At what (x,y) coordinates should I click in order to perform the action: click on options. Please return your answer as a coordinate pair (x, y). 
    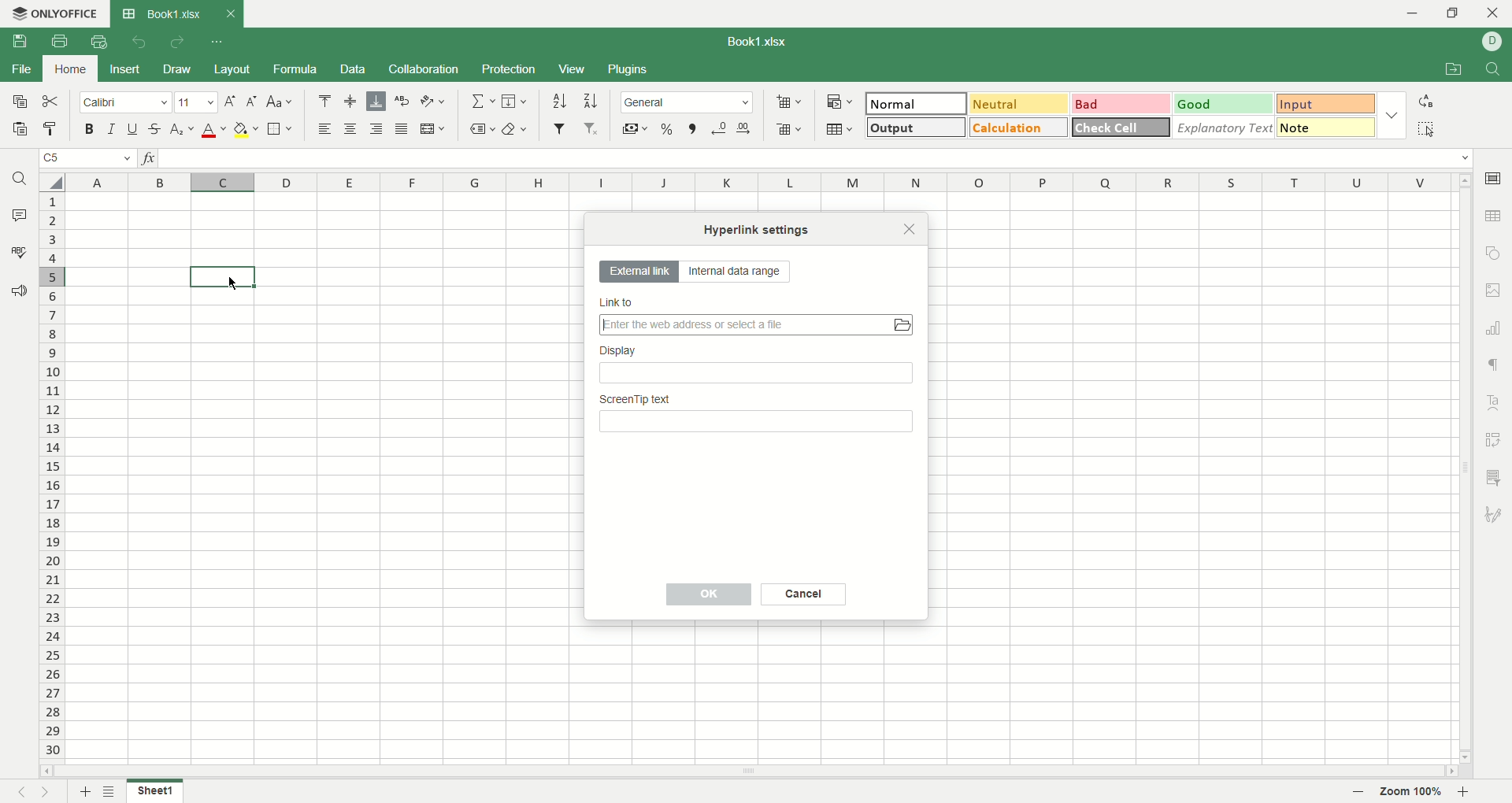
    Looking at the image, I should click on (1395, 113).